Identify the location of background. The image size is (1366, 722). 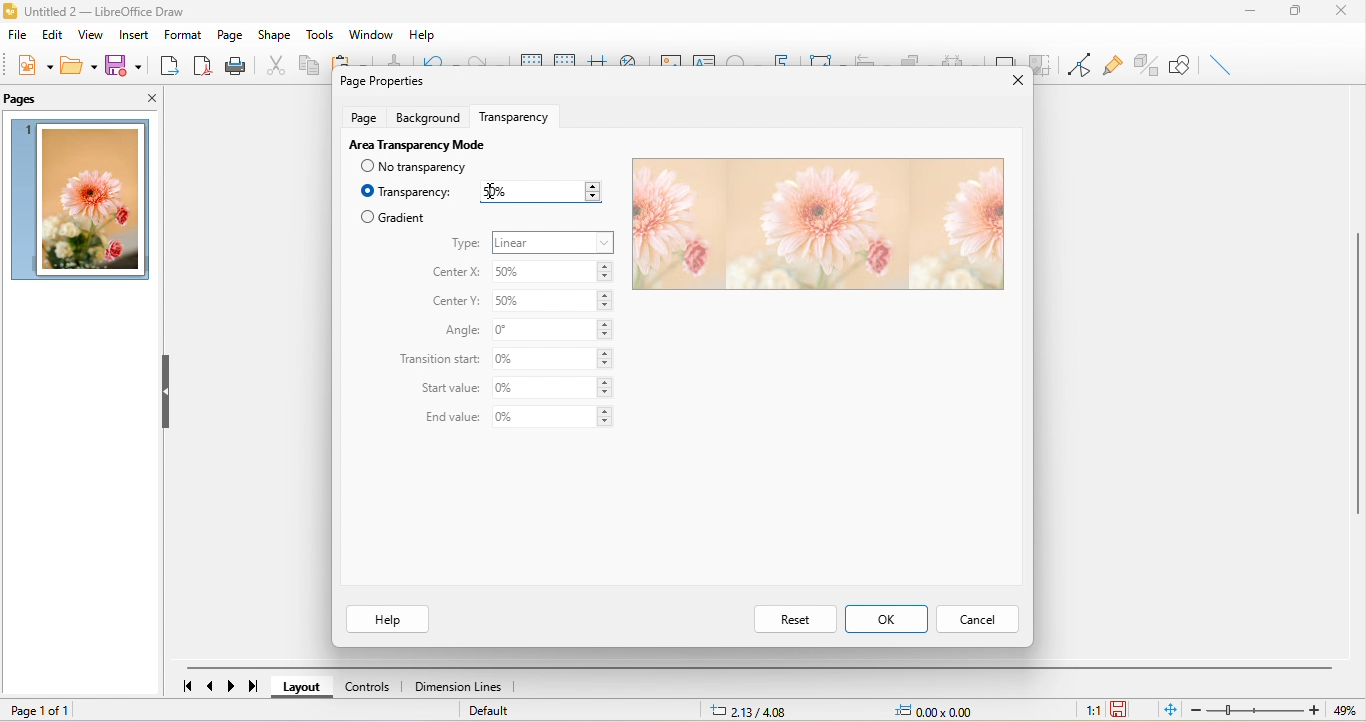
(431, 116).